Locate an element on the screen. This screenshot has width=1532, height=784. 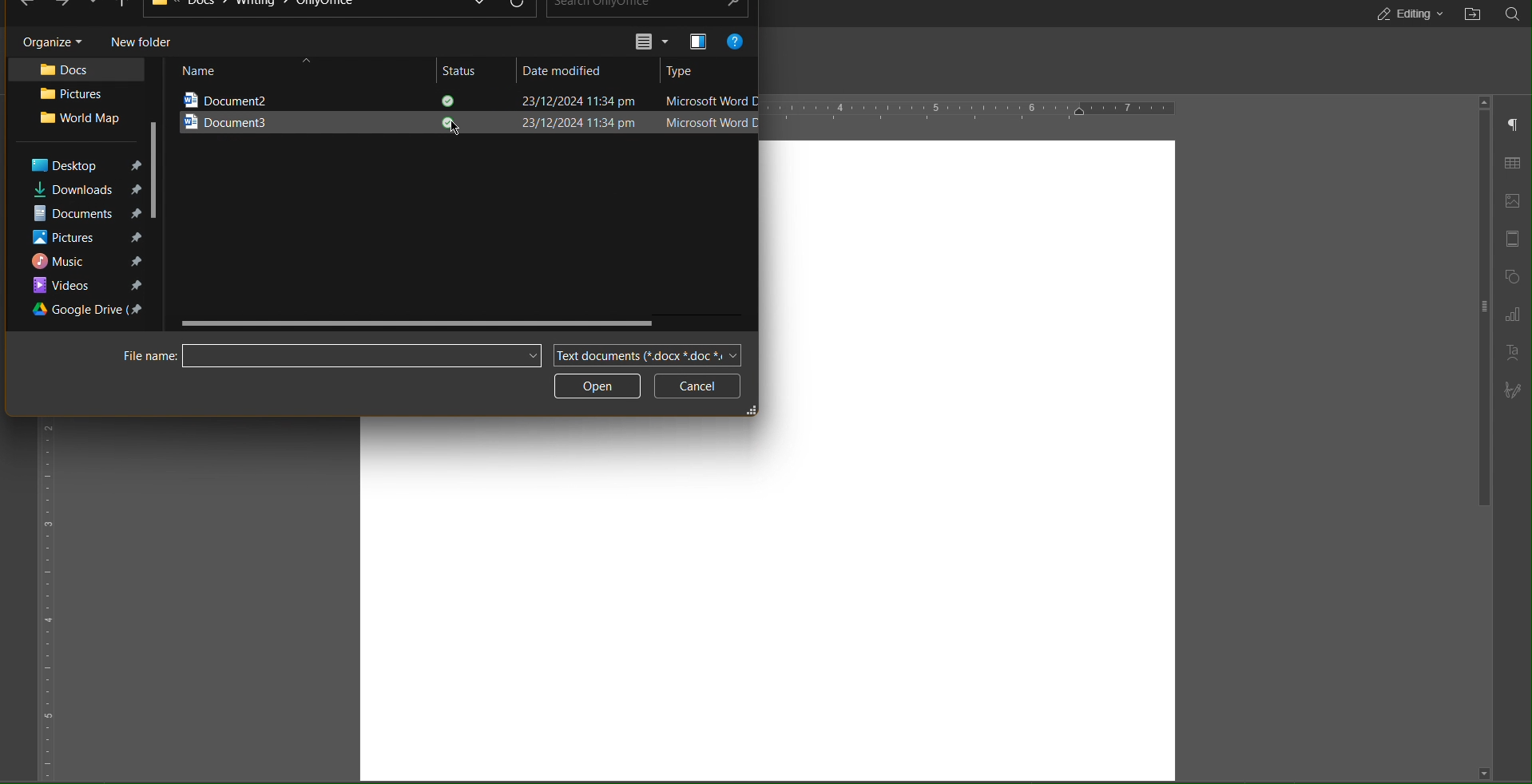
Status is located at coordinates (466, 70).